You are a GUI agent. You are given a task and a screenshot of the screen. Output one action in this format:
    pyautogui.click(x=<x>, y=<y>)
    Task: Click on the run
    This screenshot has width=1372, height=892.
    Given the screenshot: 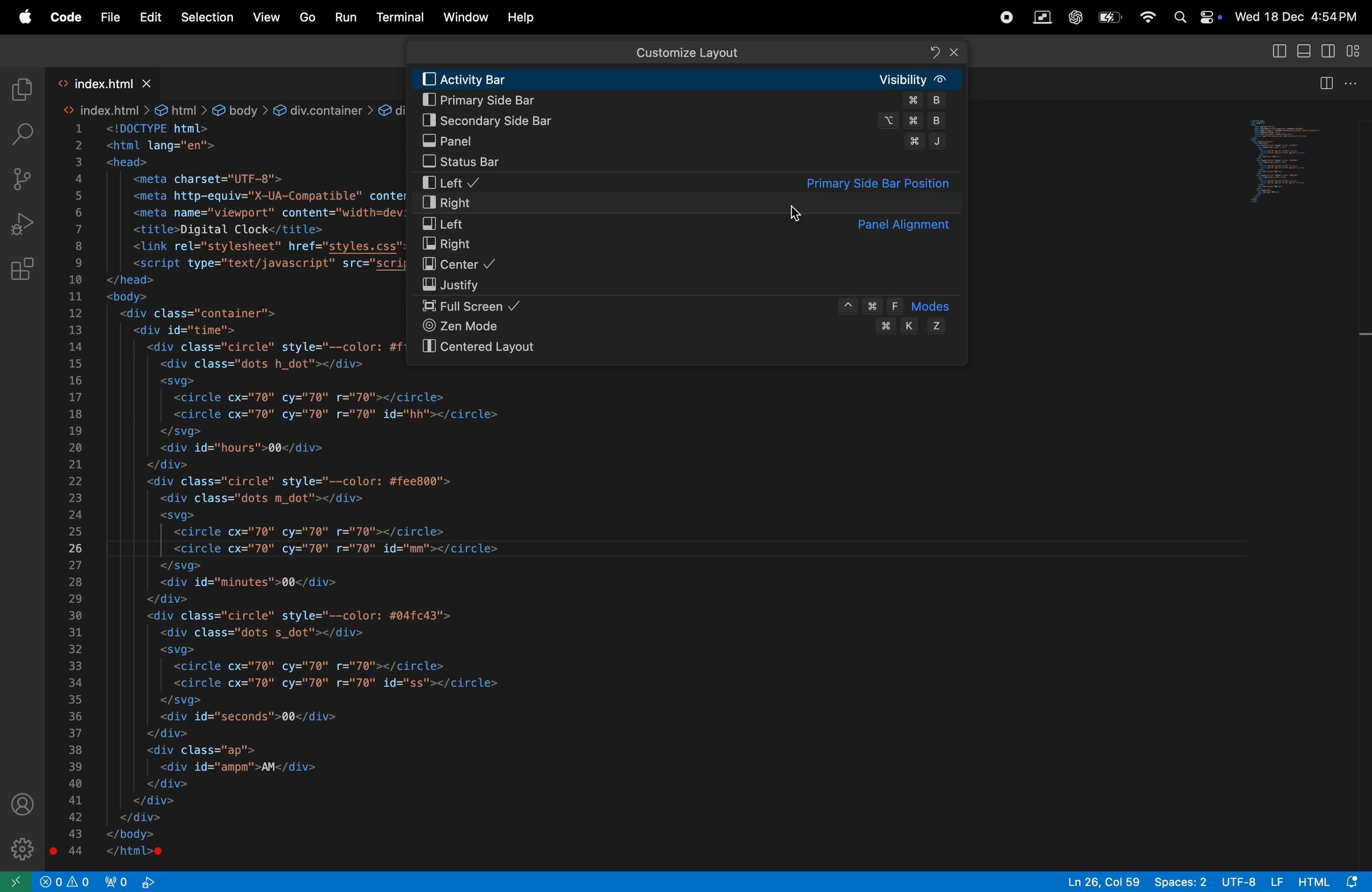 What is the action you would take?
    pyautogui.click(x=345, y=17)
    